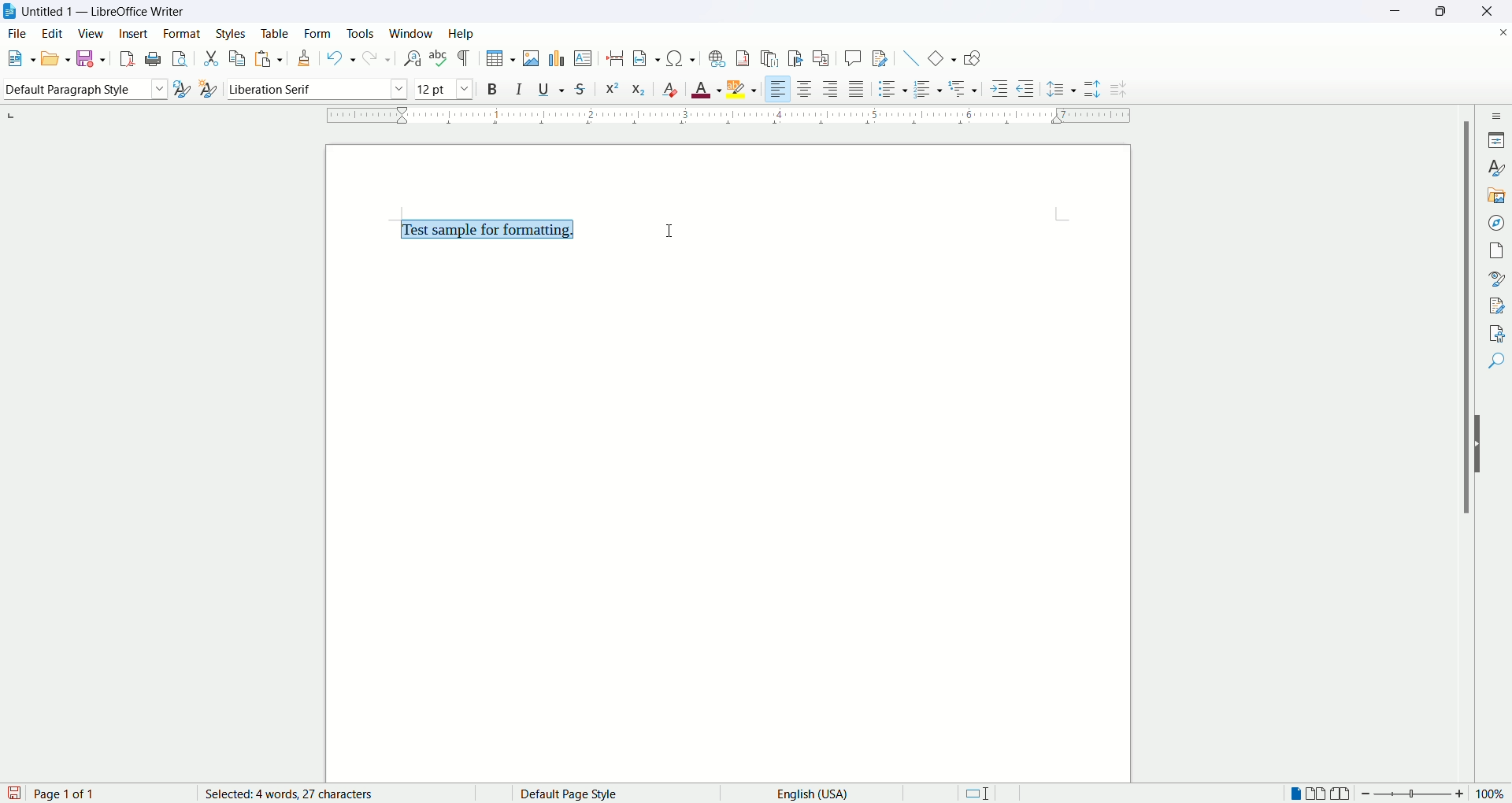 The height and width of the screenshot is (803, 1512). What do you see at coordinates (820, 58) in the screenshot?
I see `insert cross reference` at bounding box center [820, 58].